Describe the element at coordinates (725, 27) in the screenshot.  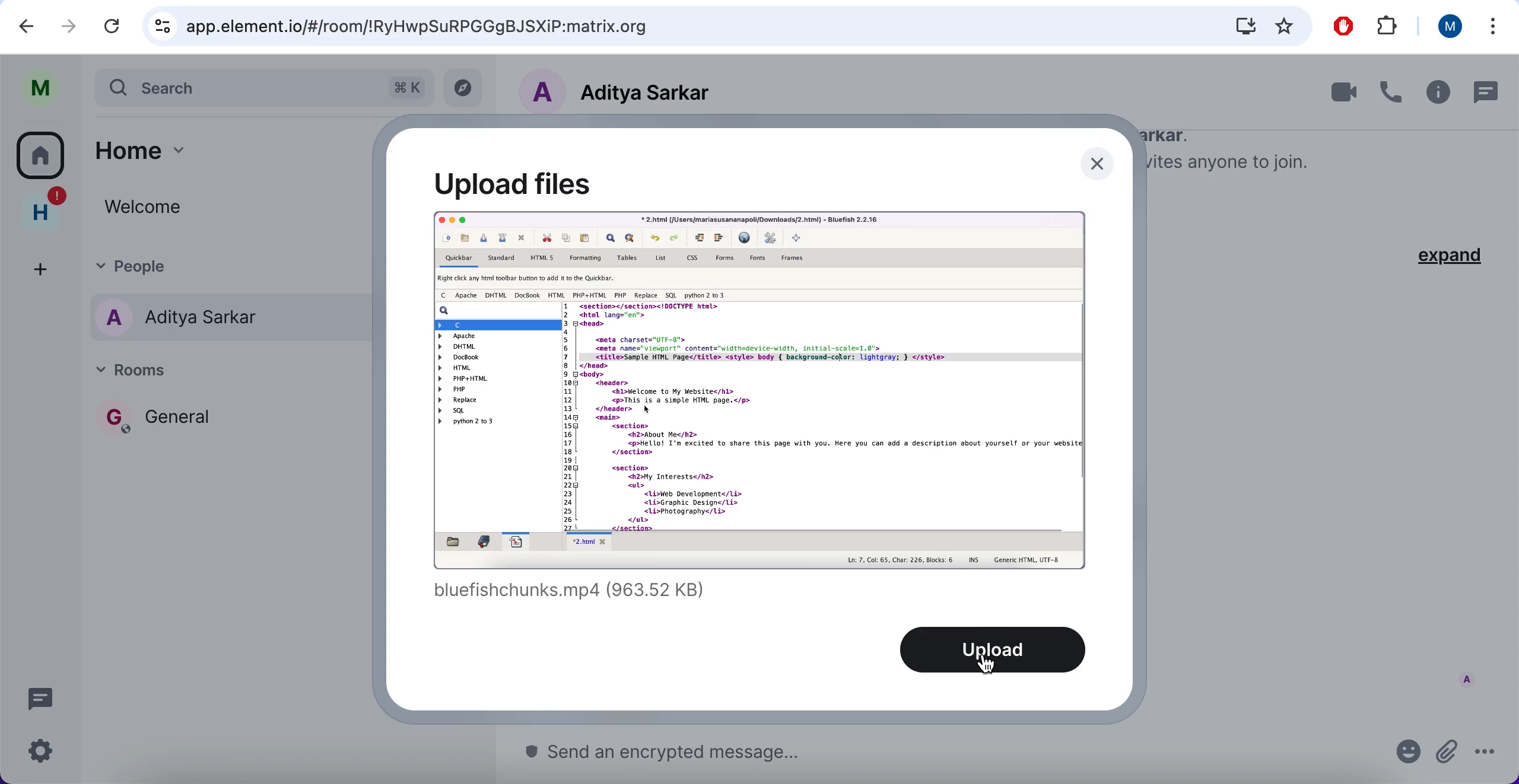
I see `google search` at that location.